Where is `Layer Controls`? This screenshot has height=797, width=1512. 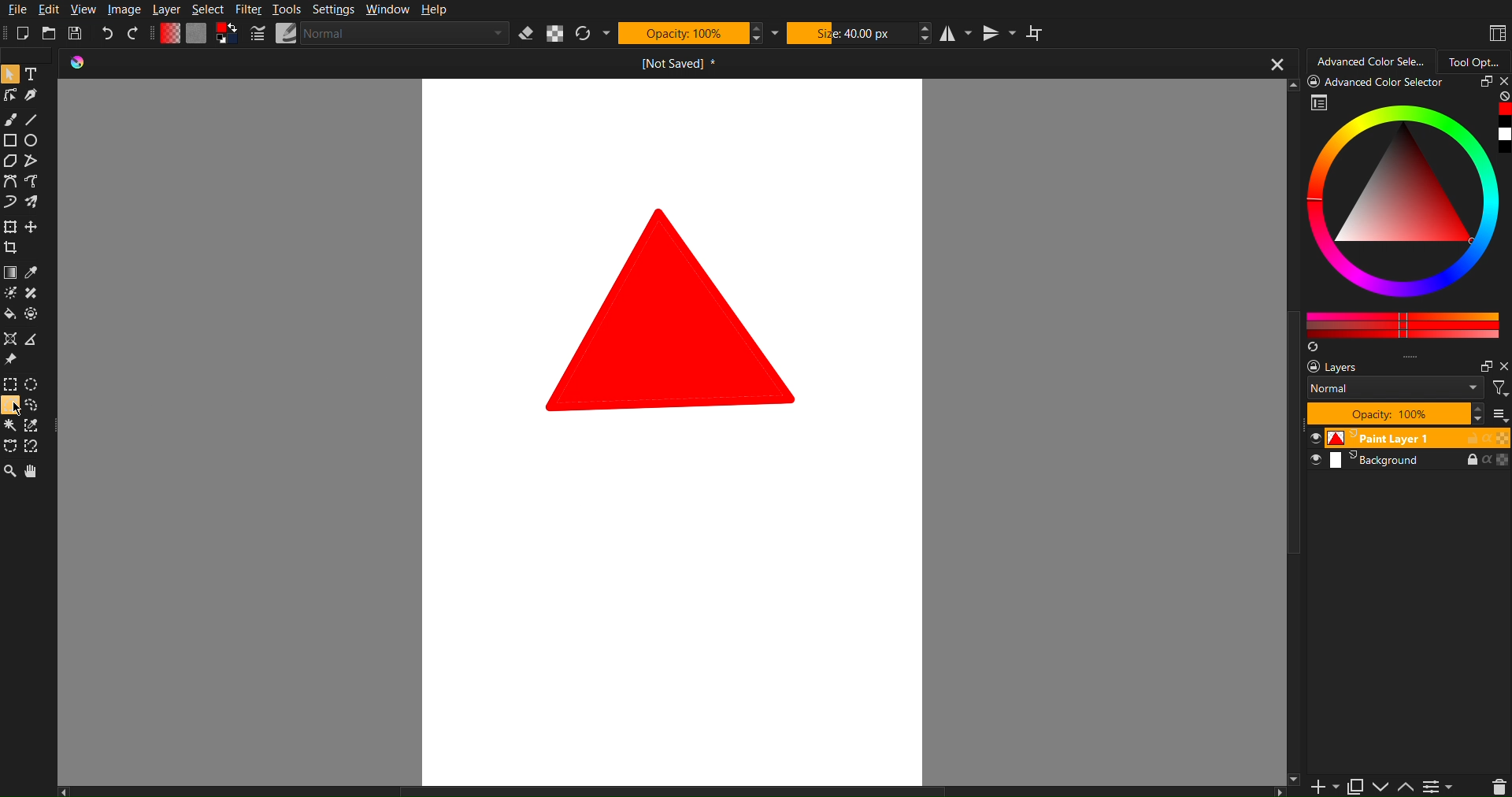 Layer Controls is located at coordinates (1499, 786).